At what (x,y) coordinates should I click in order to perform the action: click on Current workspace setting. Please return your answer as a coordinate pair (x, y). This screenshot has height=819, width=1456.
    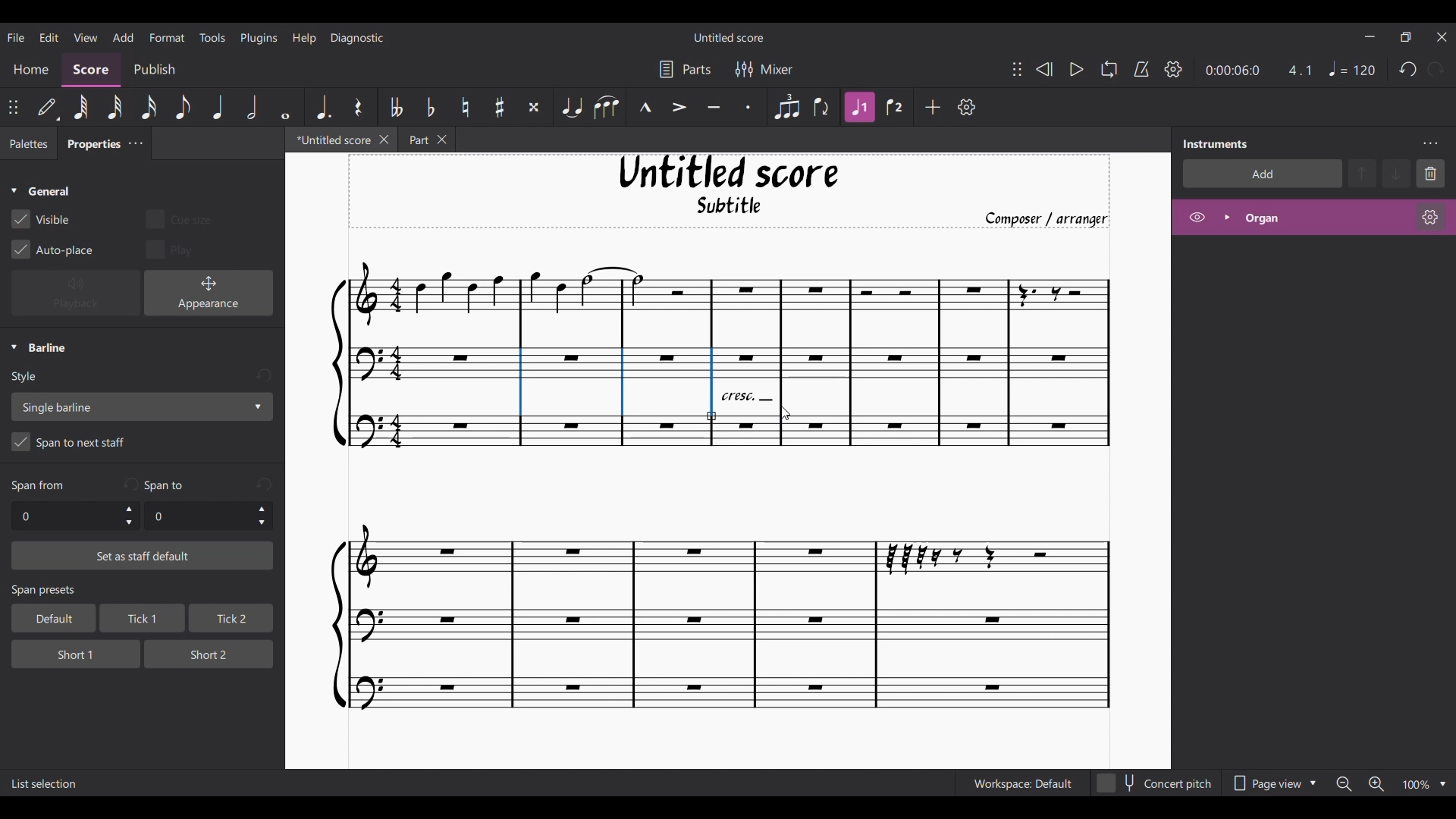
    Looking at the image, I should click on (1022, 783).